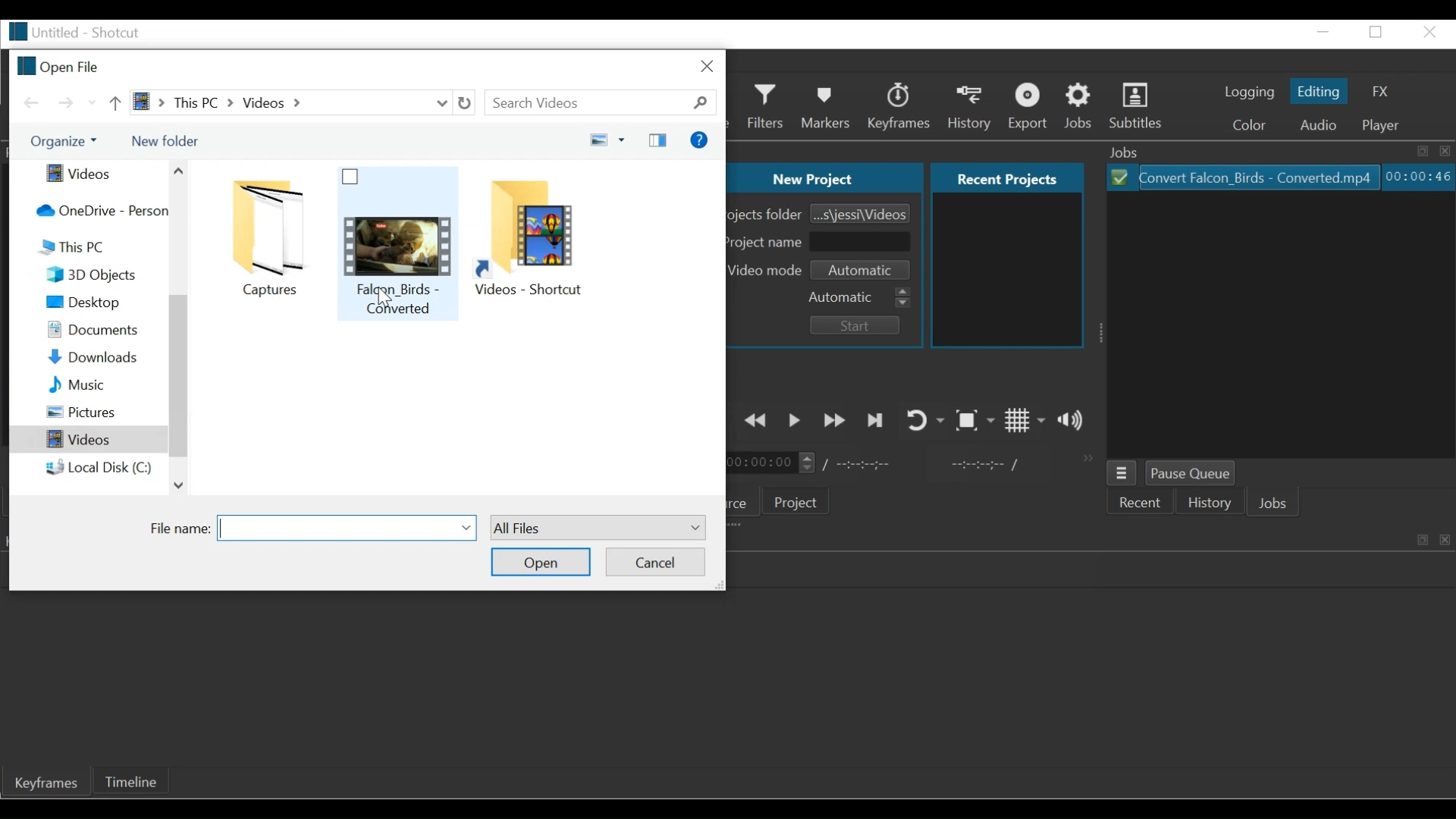  What do you see at coordinates (178, 485) in the screenshot?
I see `Scroll down` at bounding box center [178, 485].